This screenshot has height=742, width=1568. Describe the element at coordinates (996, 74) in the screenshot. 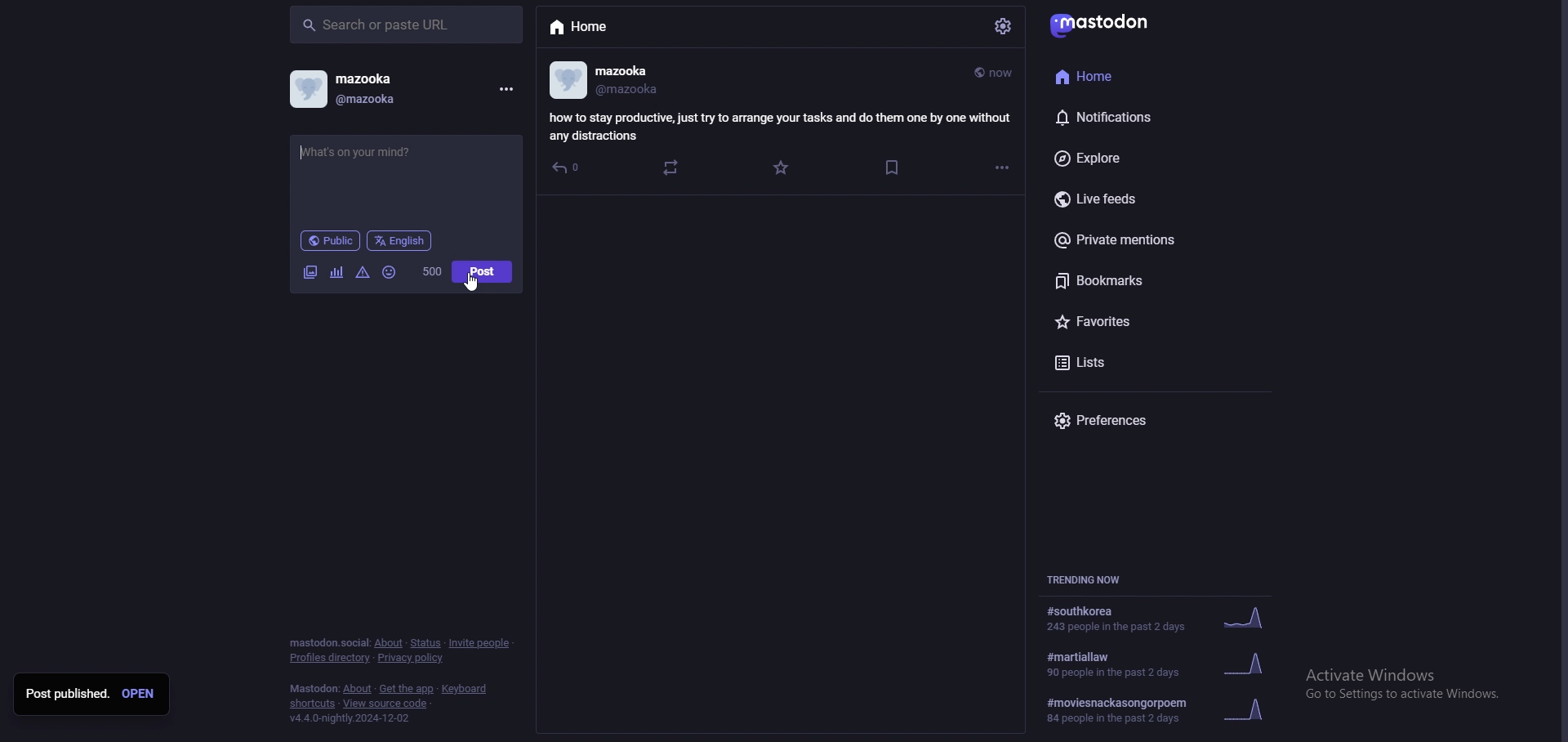

I see `time` at that location.